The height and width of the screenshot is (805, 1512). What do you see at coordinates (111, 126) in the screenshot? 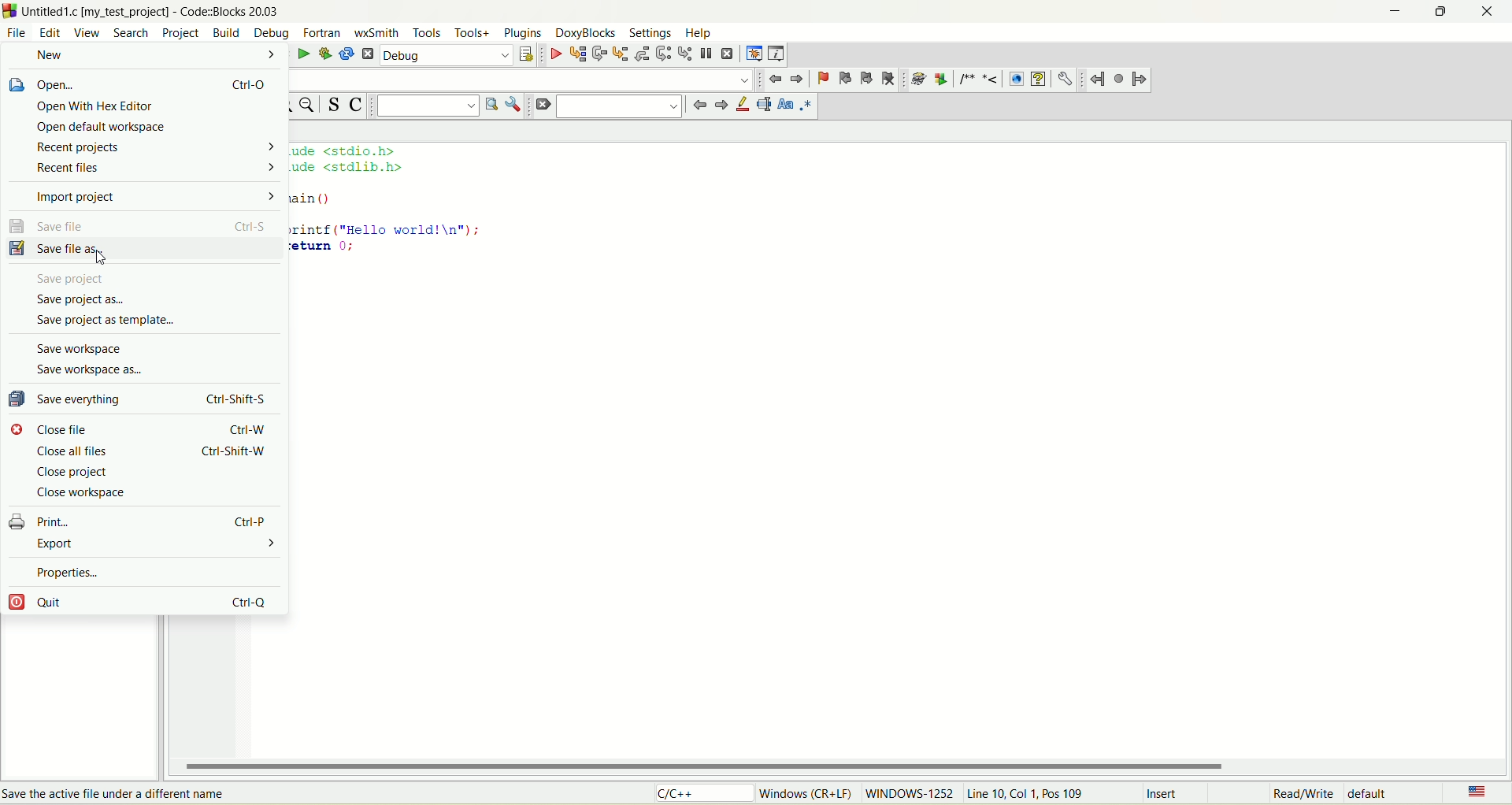
I see `open default workspace` at bounding box center [111, 126].